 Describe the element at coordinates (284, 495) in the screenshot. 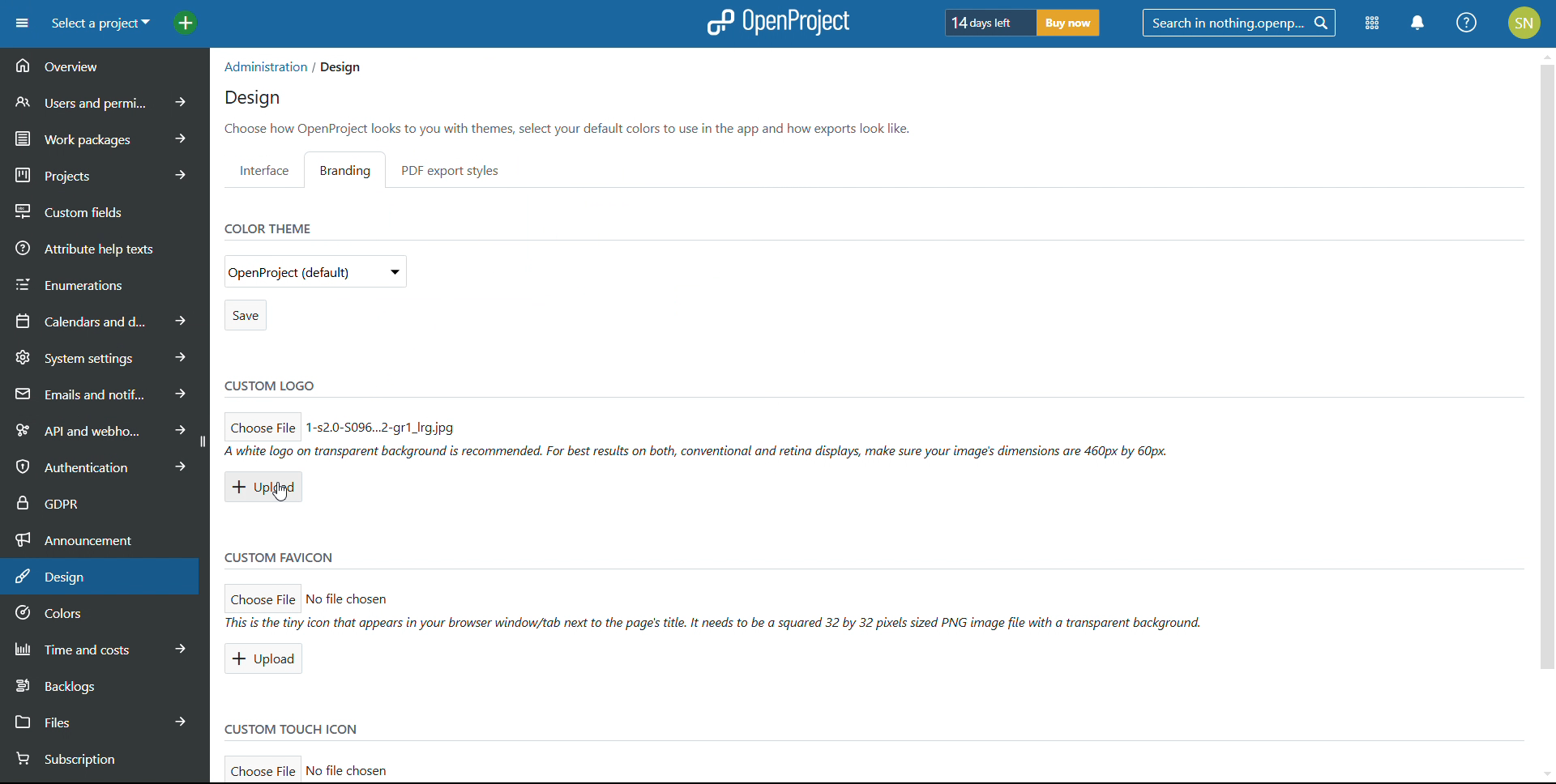

I see `cursor` at that location.